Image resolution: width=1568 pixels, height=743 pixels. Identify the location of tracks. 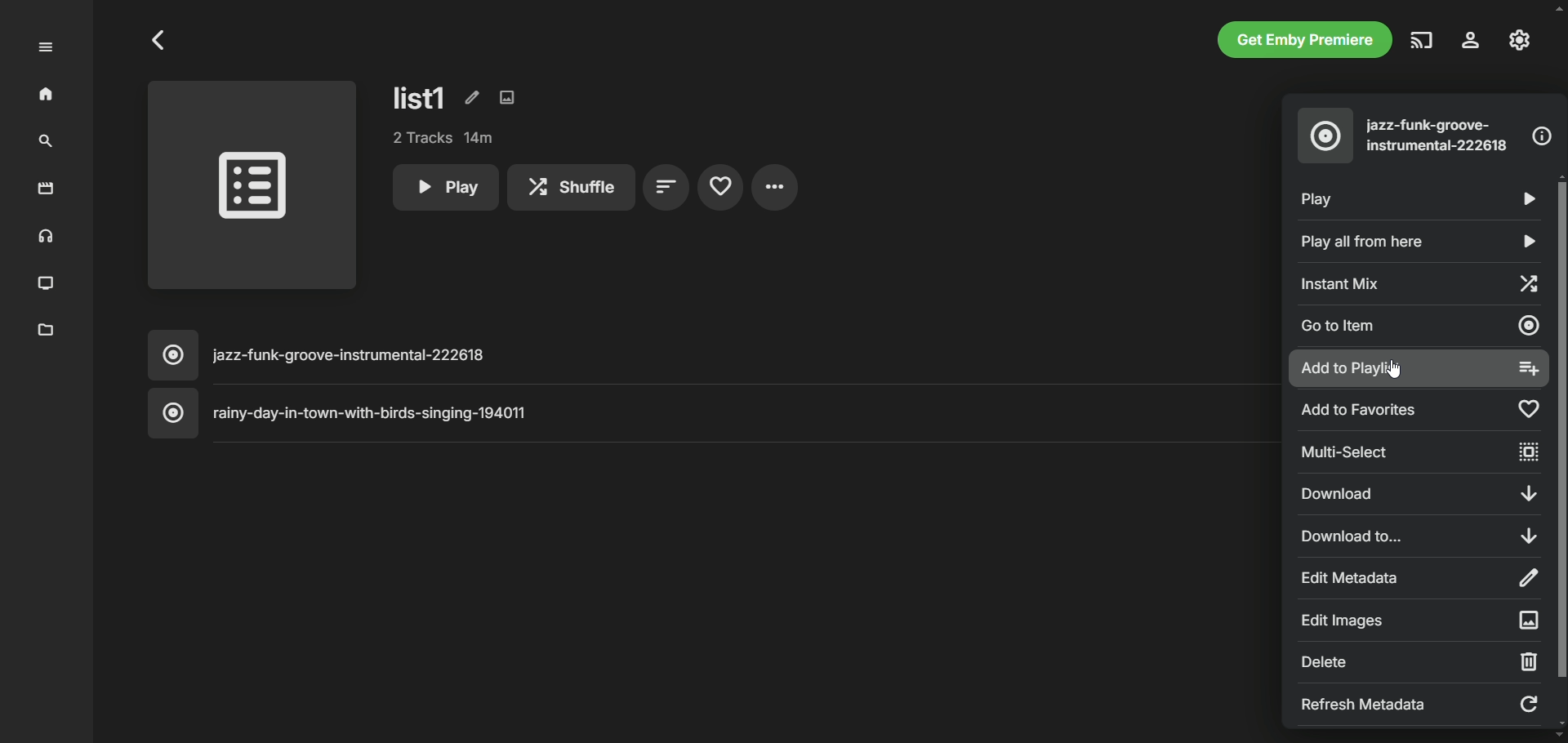
(444, 138).